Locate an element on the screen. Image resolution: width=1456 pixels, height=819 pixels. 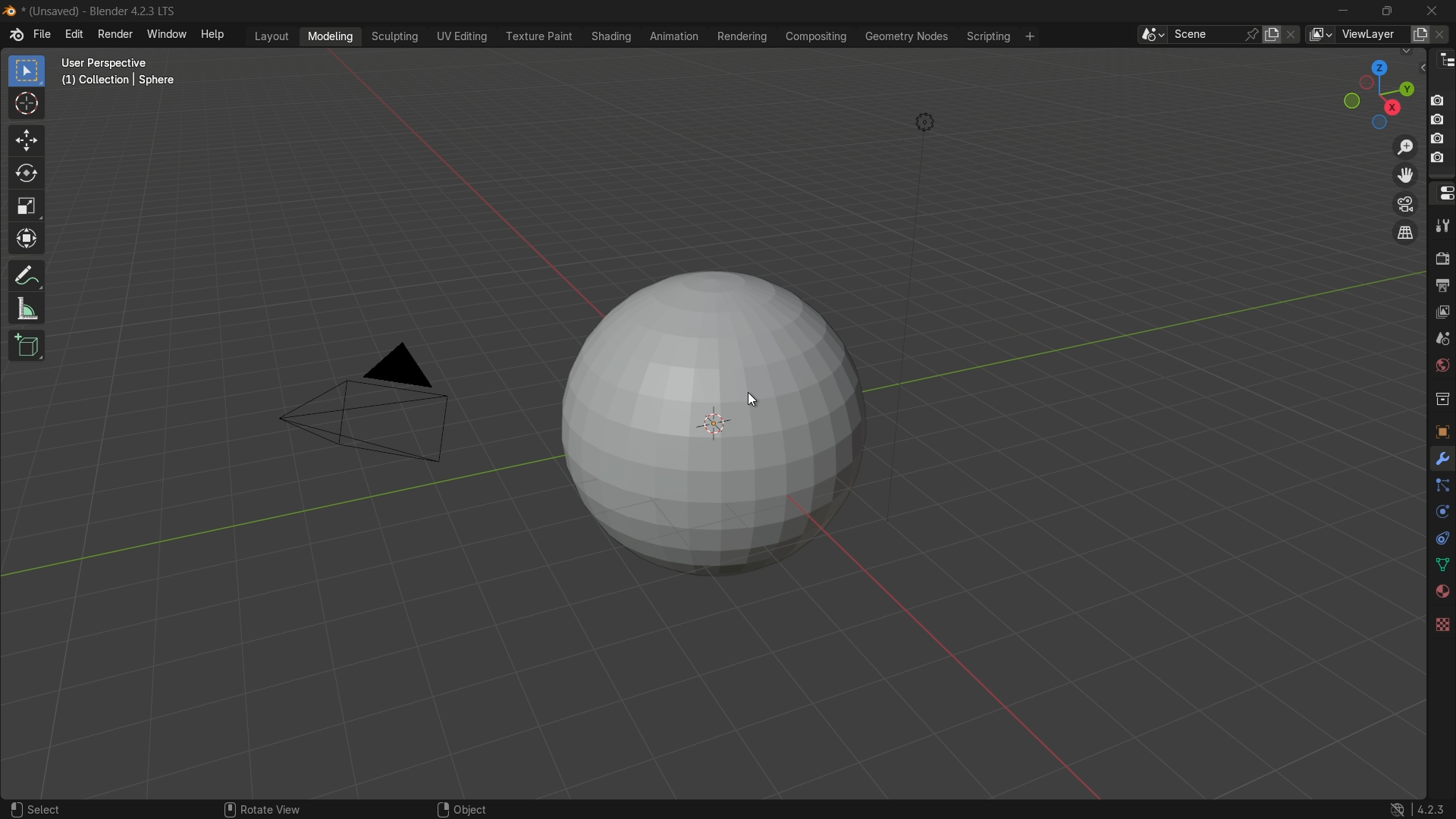
close app is located at coordinates (1435, 10).